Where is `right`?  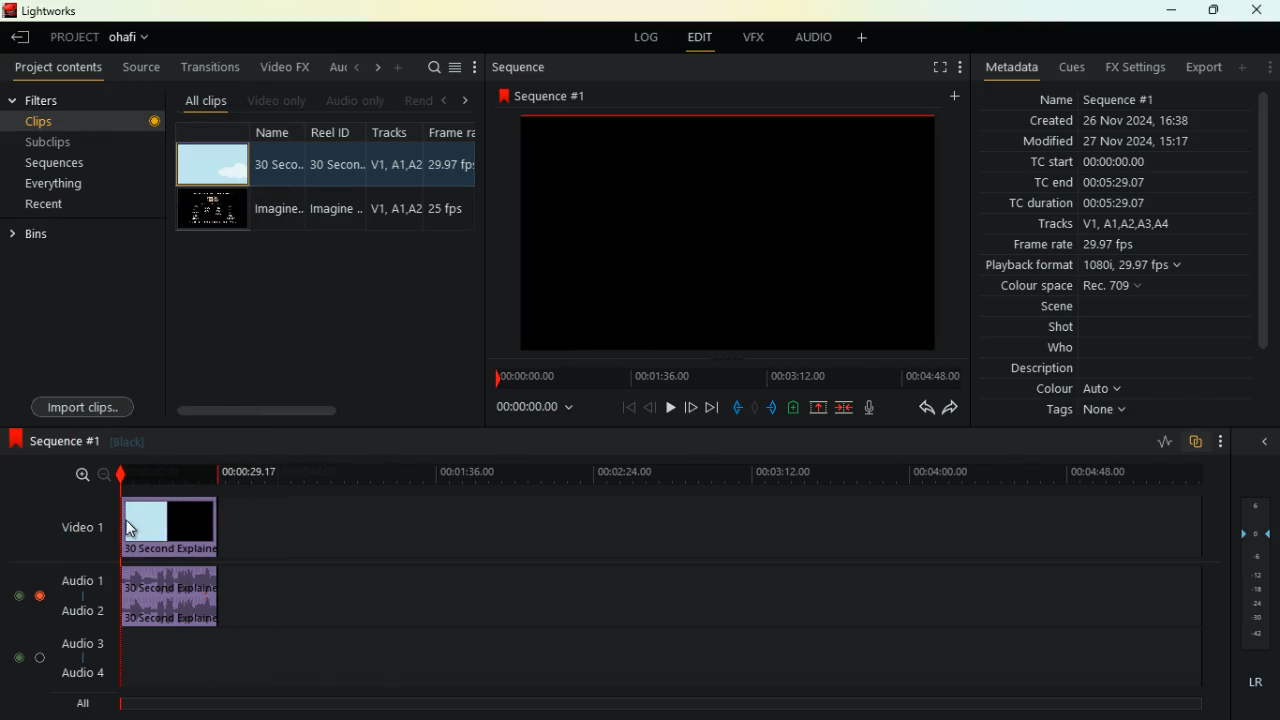 right is located at coordinates (379, 67).